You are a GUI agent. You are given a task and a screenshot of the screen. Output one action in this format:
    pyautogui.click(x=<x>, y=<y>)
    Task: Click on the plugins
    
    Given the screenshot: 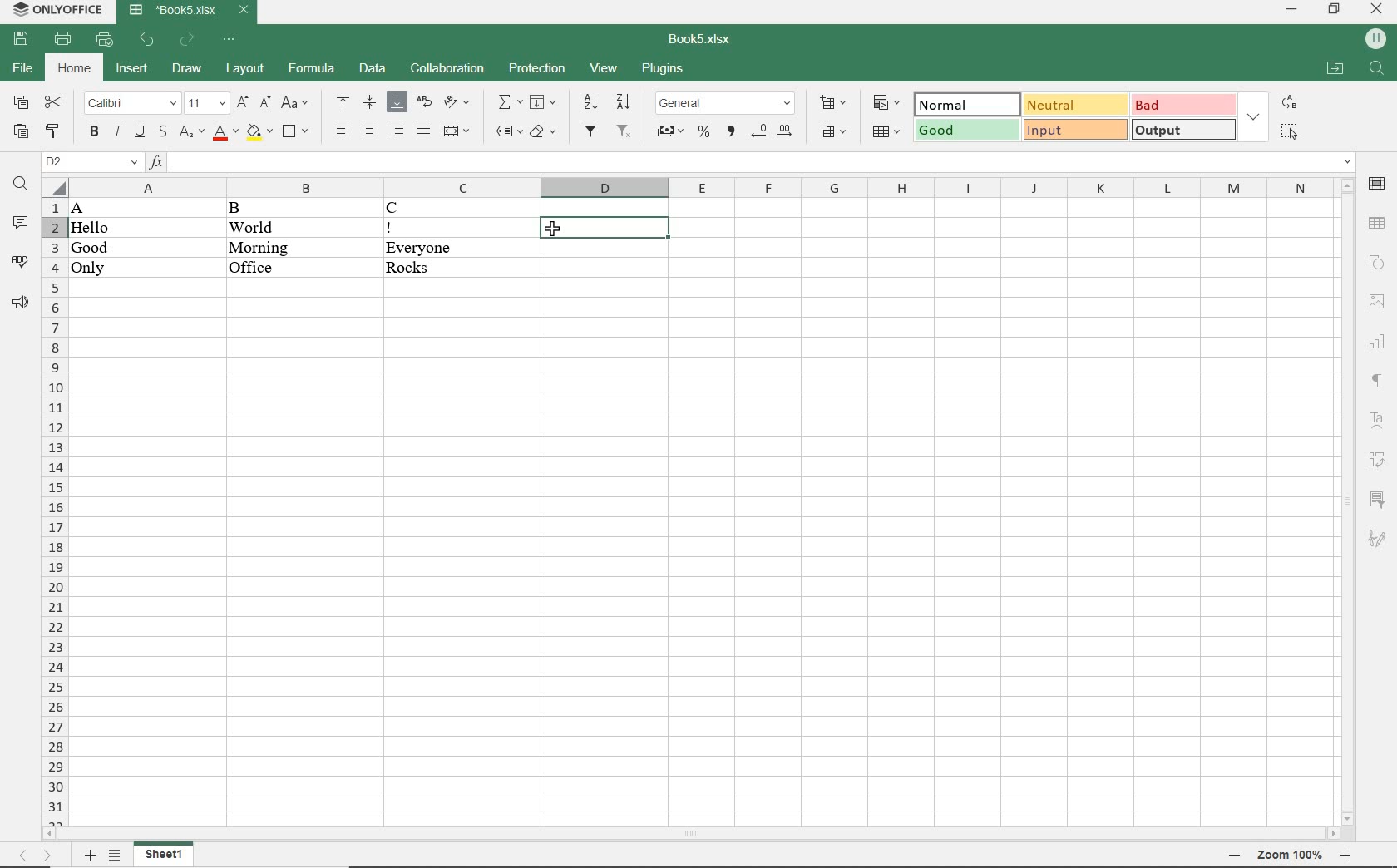 What is the action you would take?
    pyautogui.click(x=663, y=70)
    